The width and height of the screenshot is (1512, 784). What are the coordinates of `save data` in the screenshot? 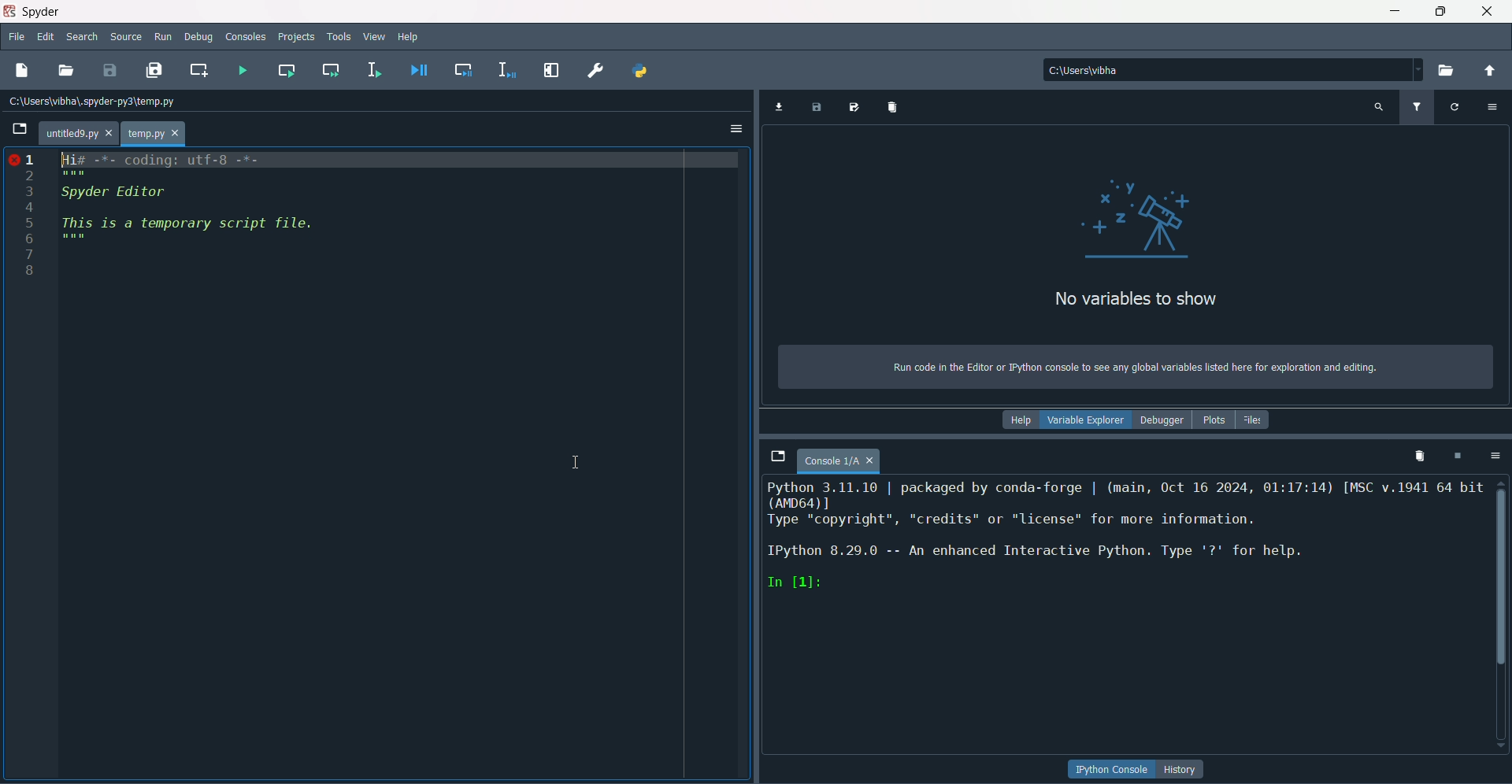 It's located at (818, 108).